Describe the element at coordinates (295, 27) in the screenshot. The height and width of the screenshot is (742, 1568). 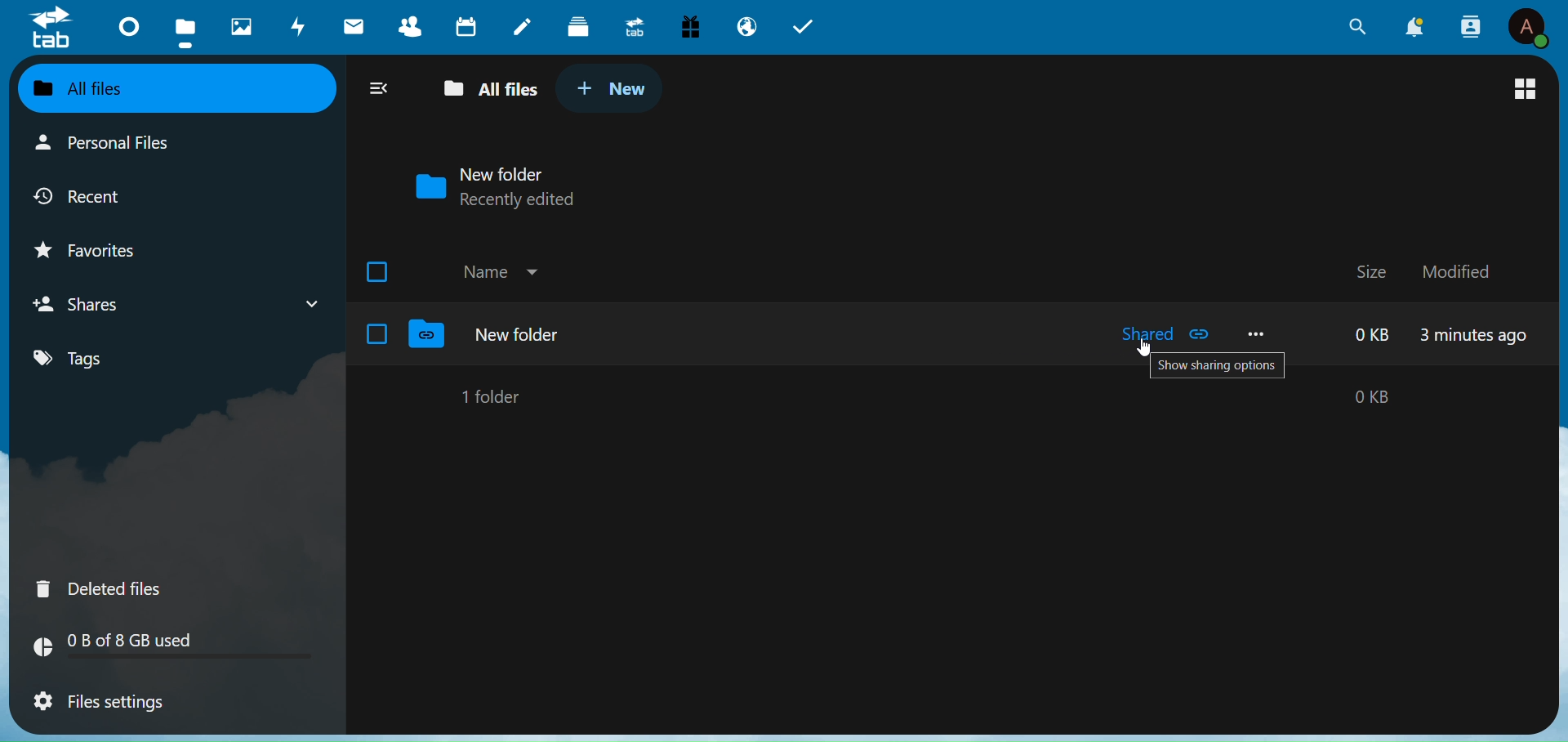
I see `Activity` at that location.